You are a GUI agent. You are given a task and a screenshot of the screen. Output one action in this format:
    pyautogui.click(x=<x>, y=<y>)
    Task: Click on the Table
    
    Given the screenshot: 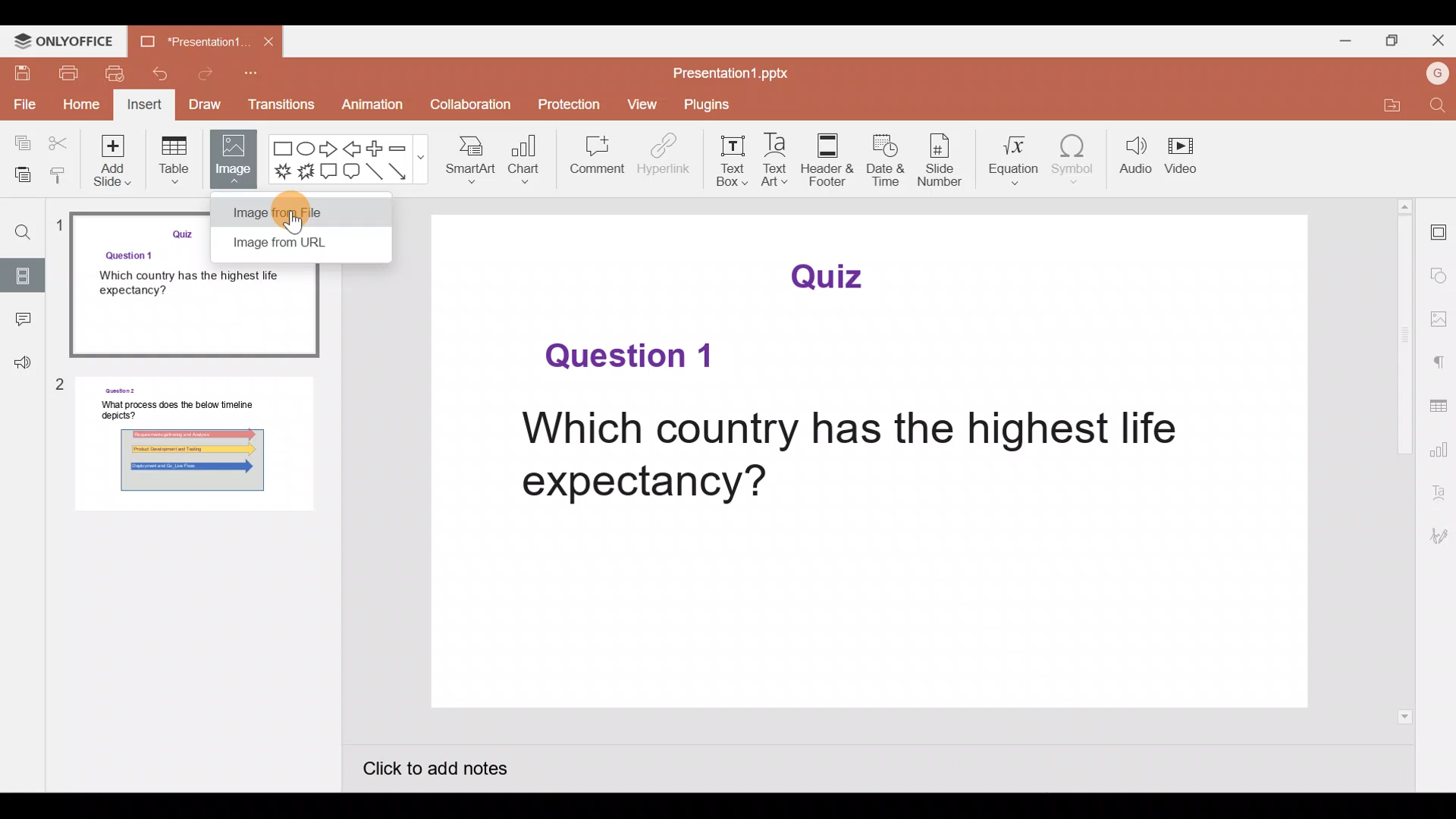 What is the action you would take?
    pyautogui.click(x=174, y=165)
    